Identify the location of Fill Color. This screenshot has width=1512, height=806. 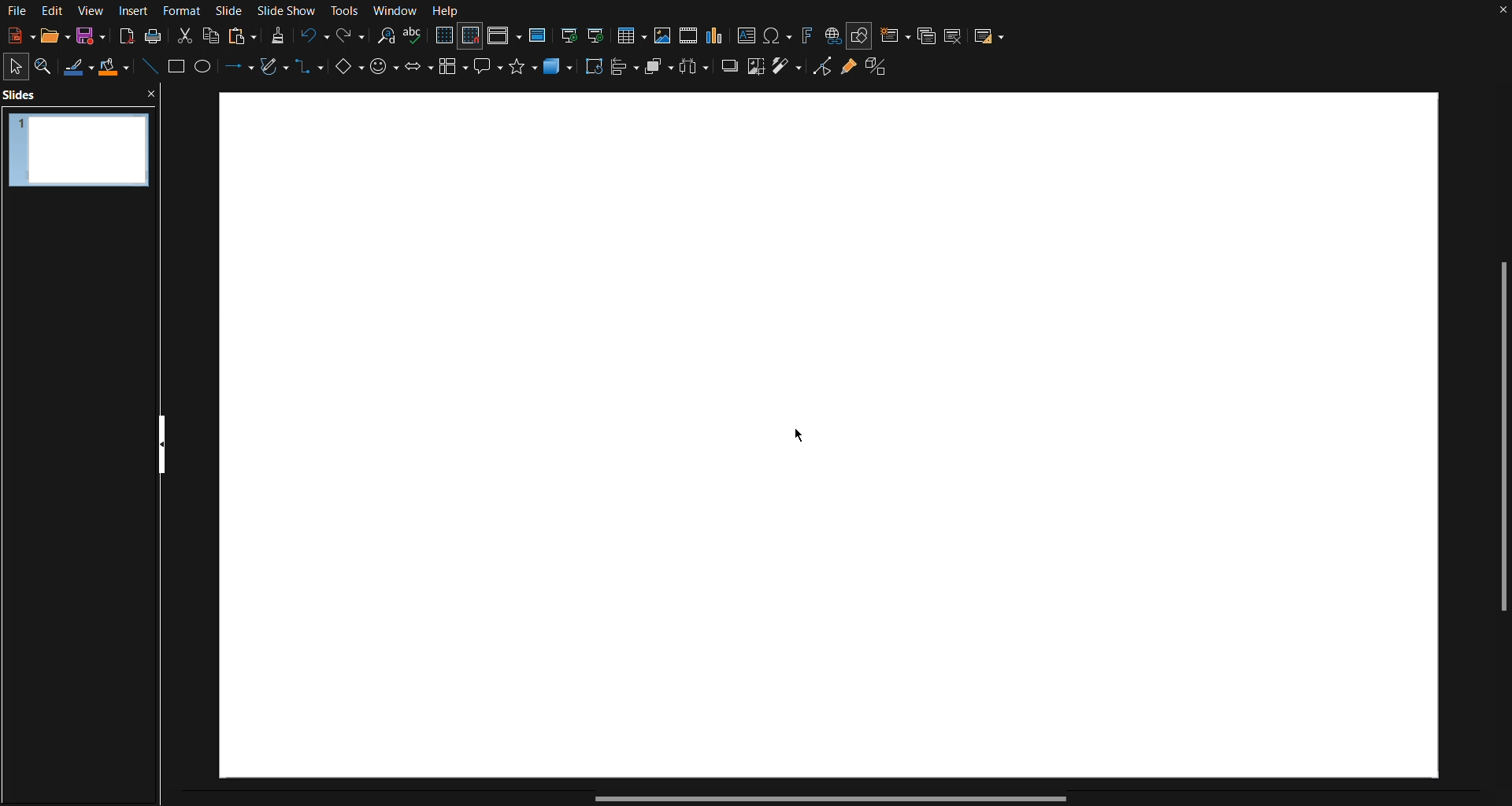
(114, 68).